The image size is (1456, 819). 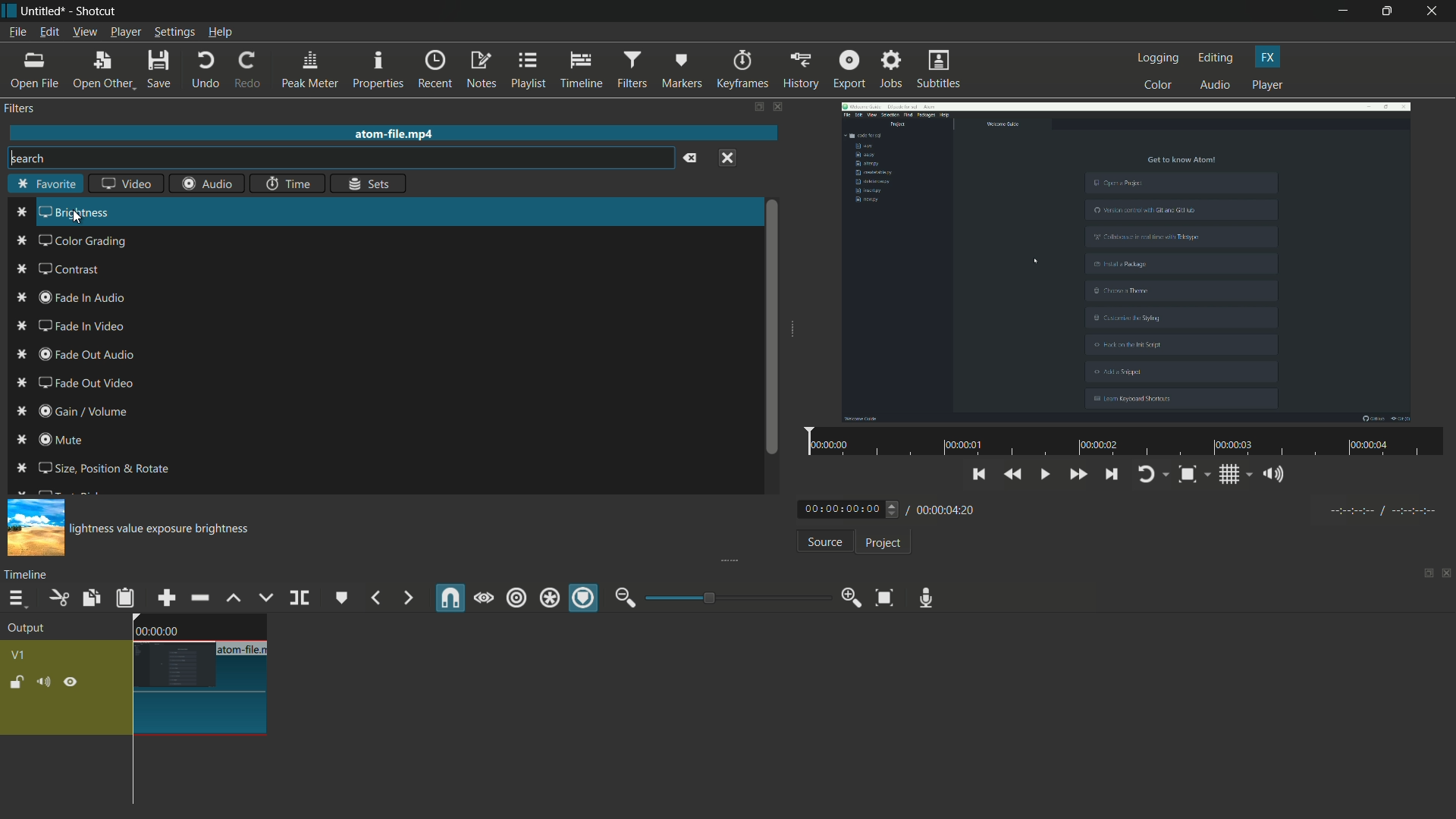 What do you see at coordinates (165, 598) in the screenshot?
I see `append` at bounding box center [165, 598].